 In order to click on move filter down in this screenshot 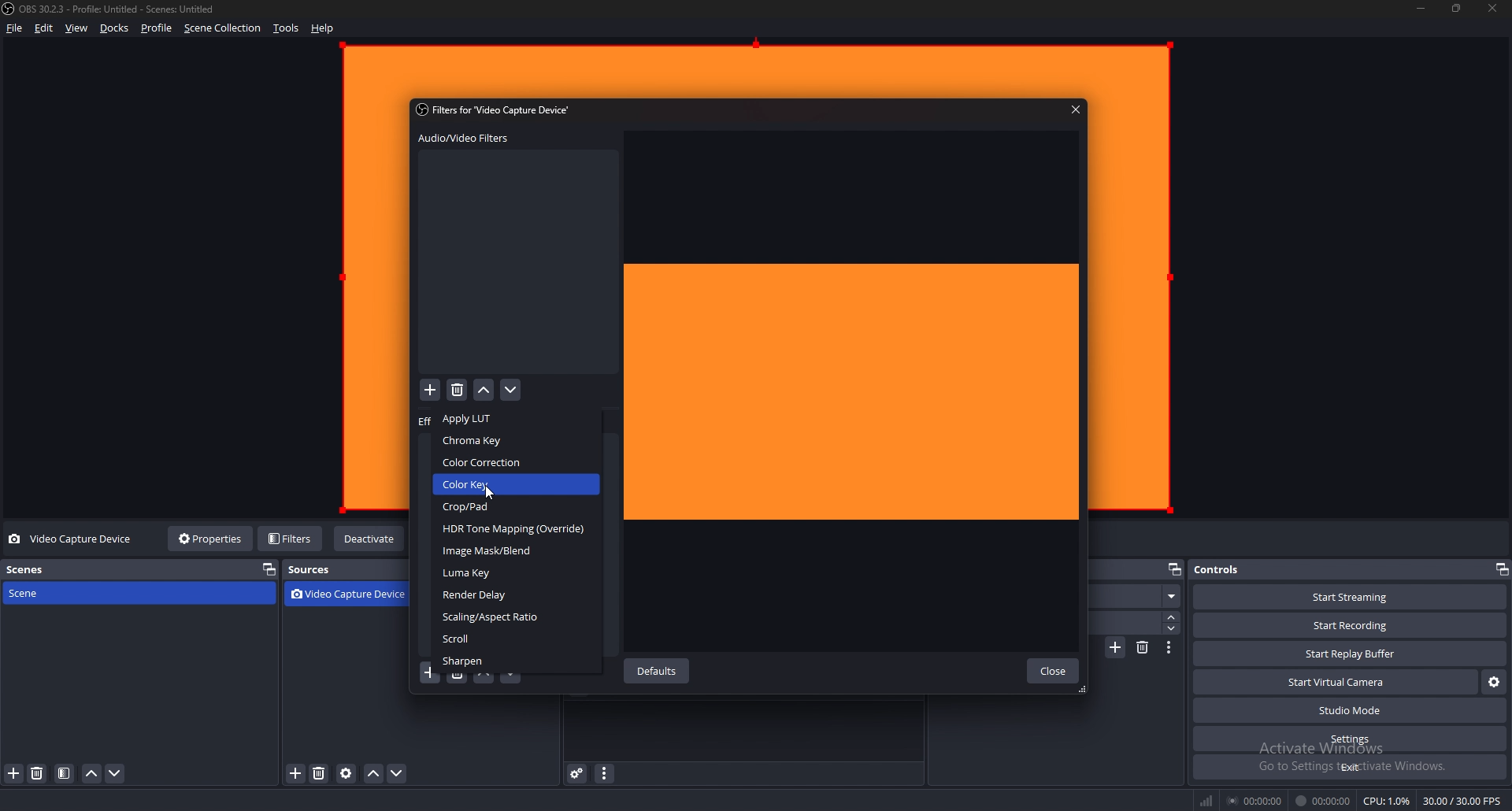, I will do `click(511, 391)`.